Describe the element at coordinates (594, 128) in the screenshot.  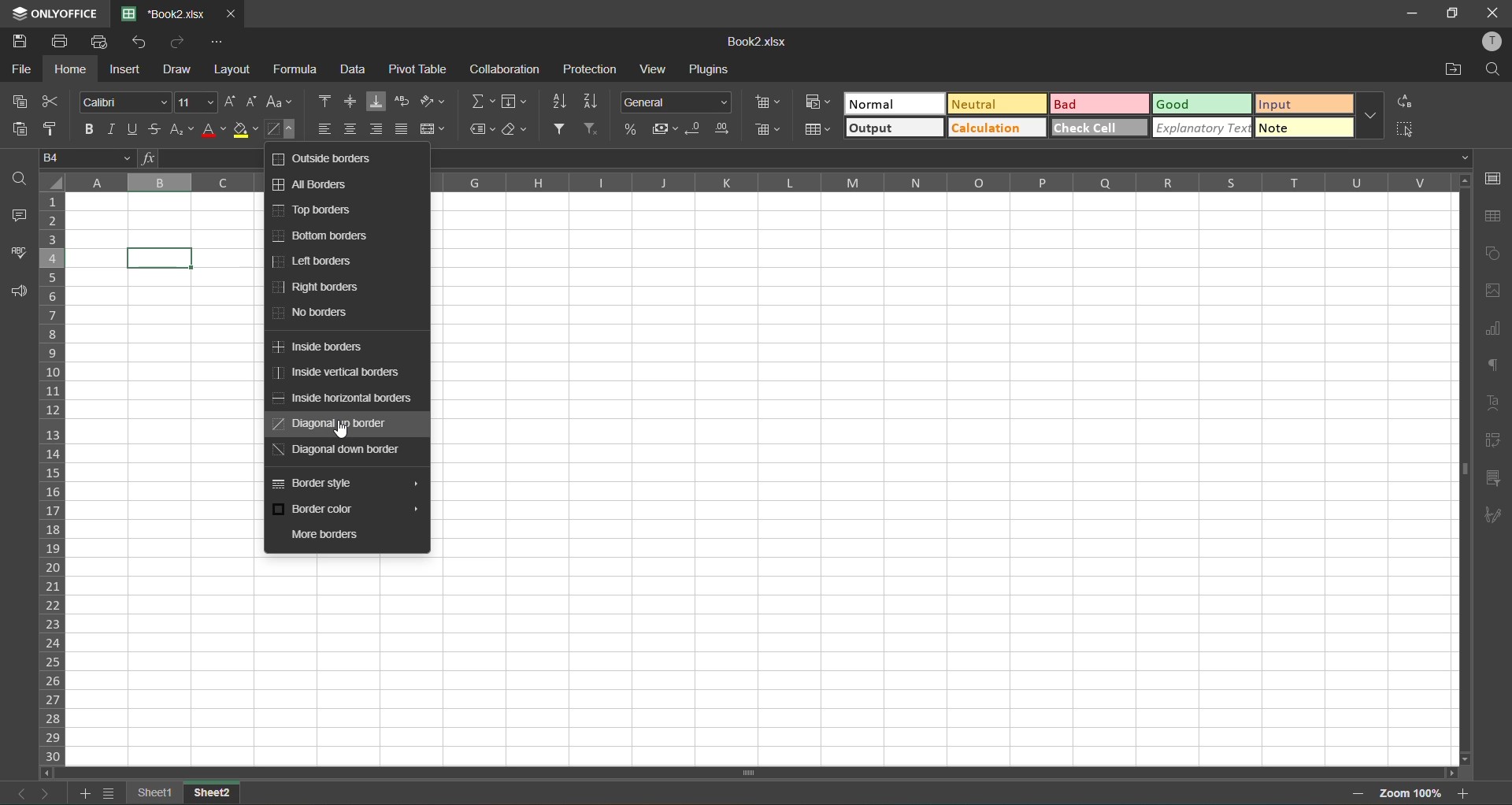
I see `clearfilter` at that location.